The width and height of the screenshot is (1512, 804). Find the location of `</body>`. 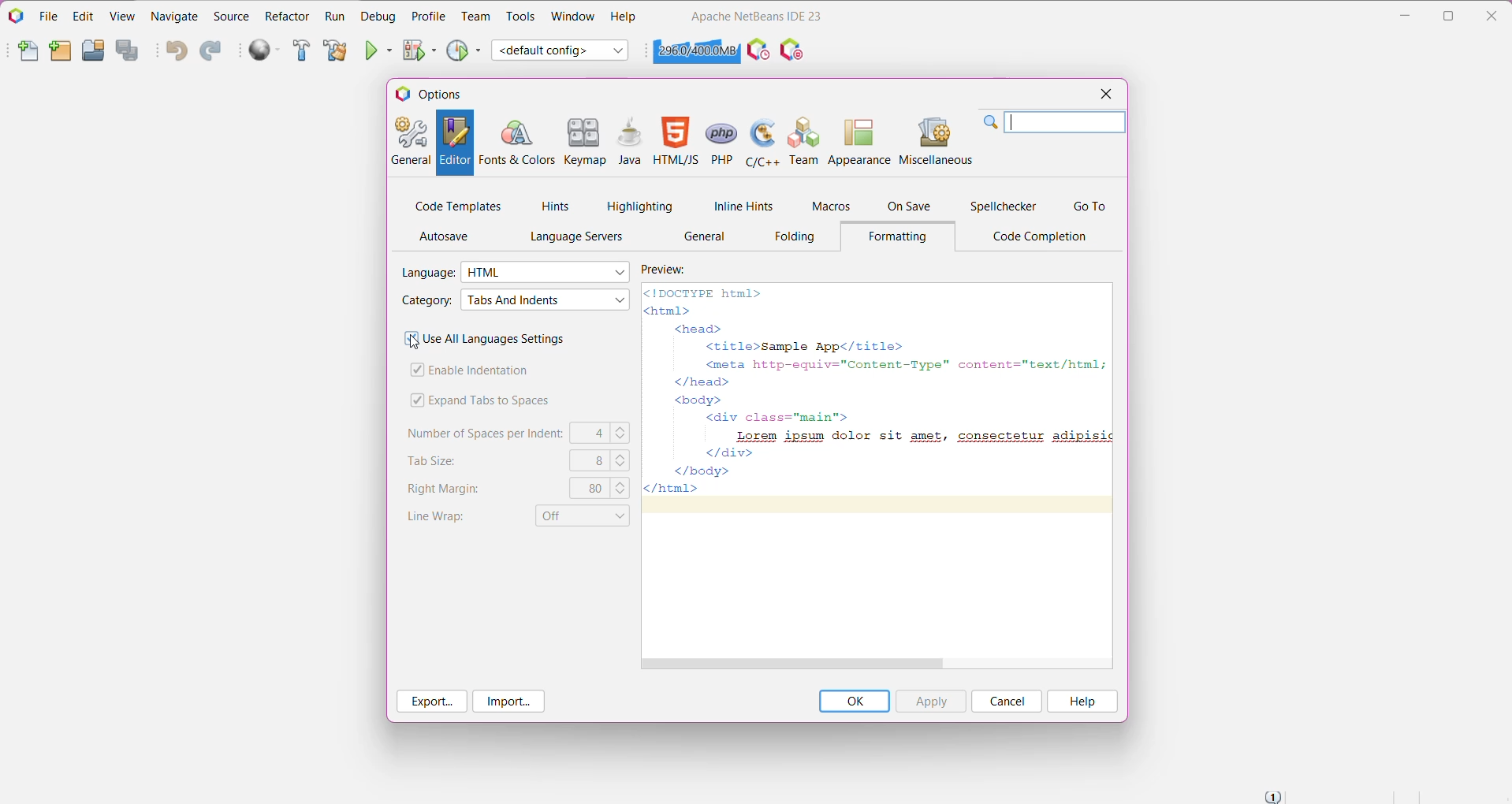

</body> is located at coordinates (706, 471).